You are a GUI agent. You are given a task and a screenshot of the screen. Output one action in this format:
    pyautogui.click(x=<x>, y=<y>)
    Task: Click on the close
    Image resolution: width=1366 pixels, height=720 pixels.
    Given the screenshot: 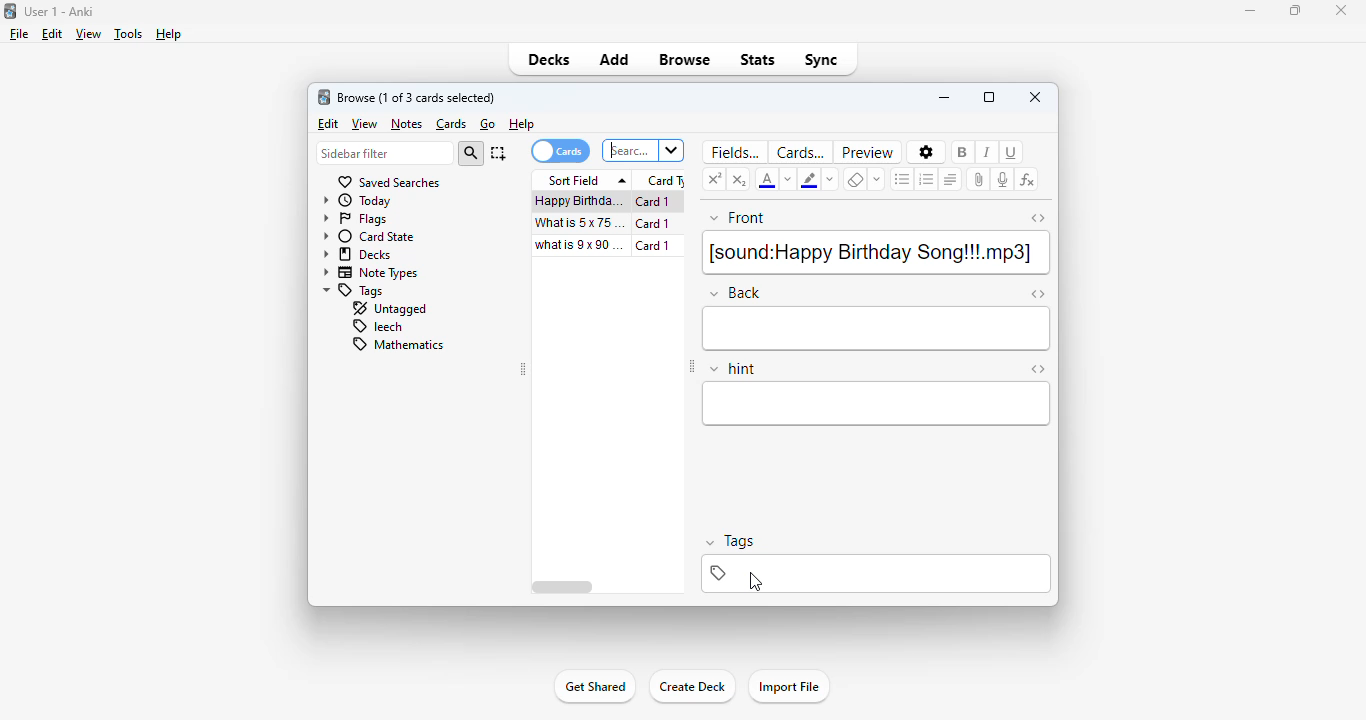 What is the action you would take?
    pyautogui.click(x=1344, y=10)
    